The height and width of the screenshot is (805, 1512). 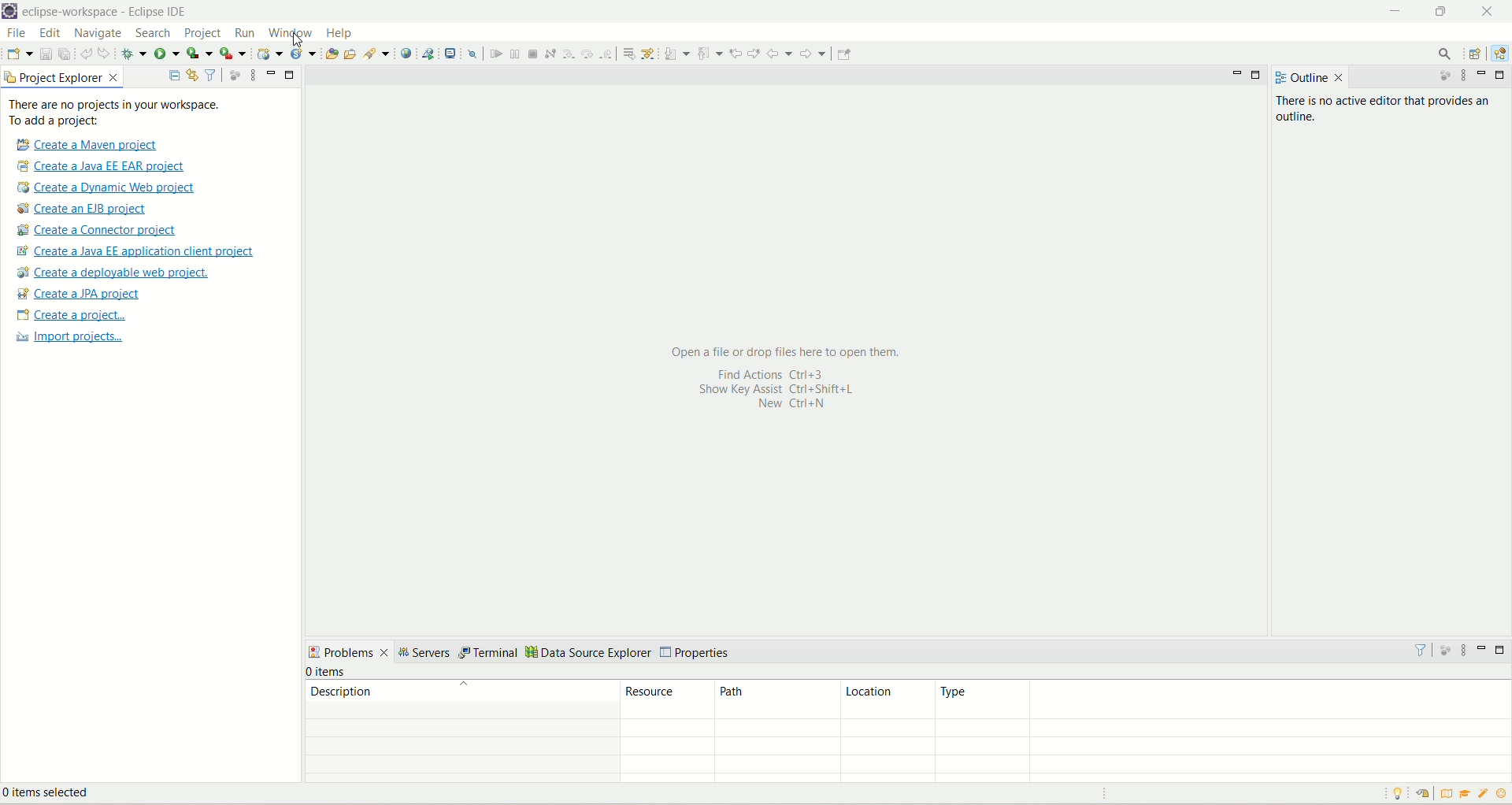 I want to click on save all, so click(x=65, y=53).